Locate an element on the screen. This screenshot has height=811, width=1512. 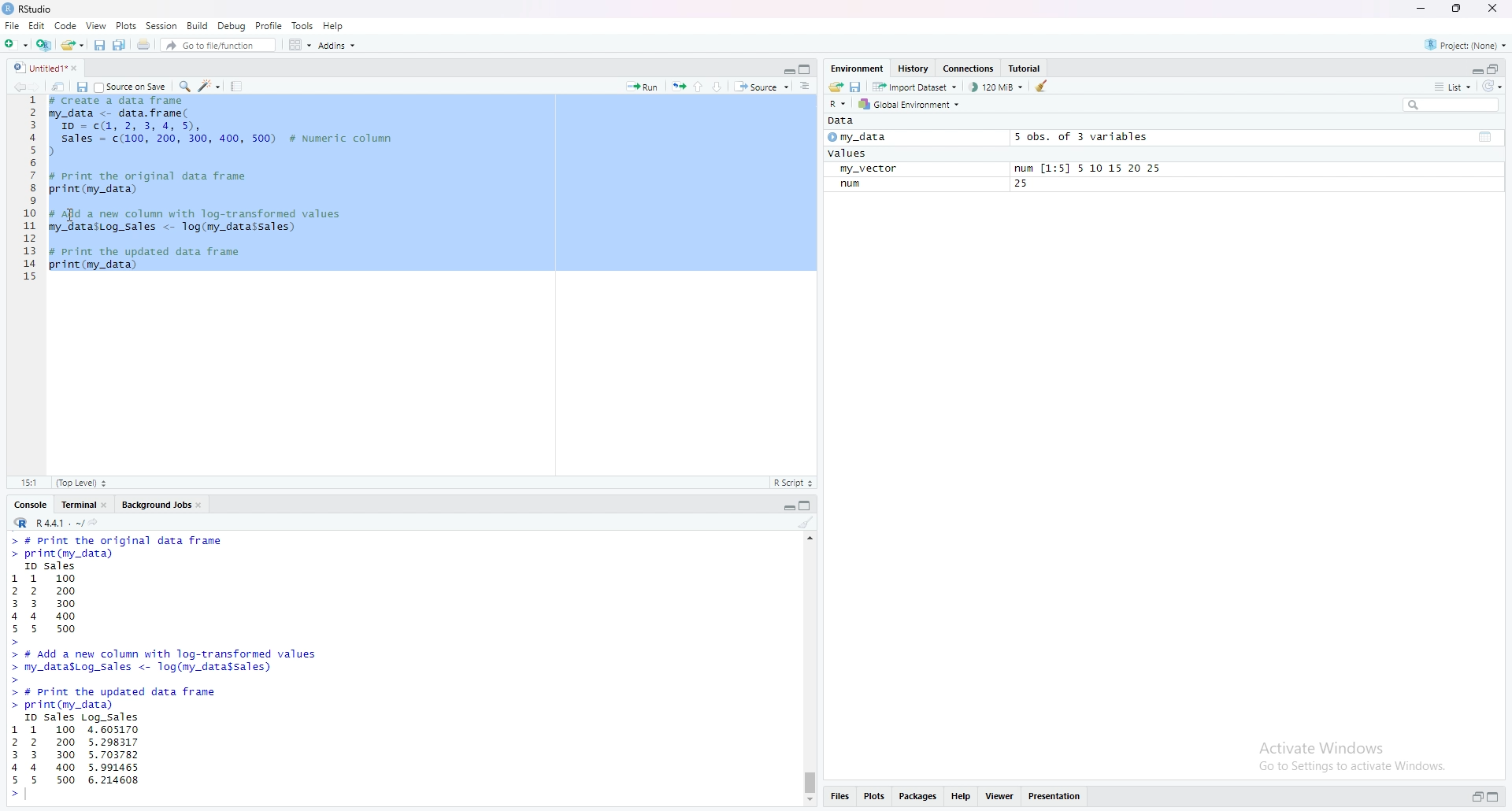
Session is located at coordinates (159, 25).